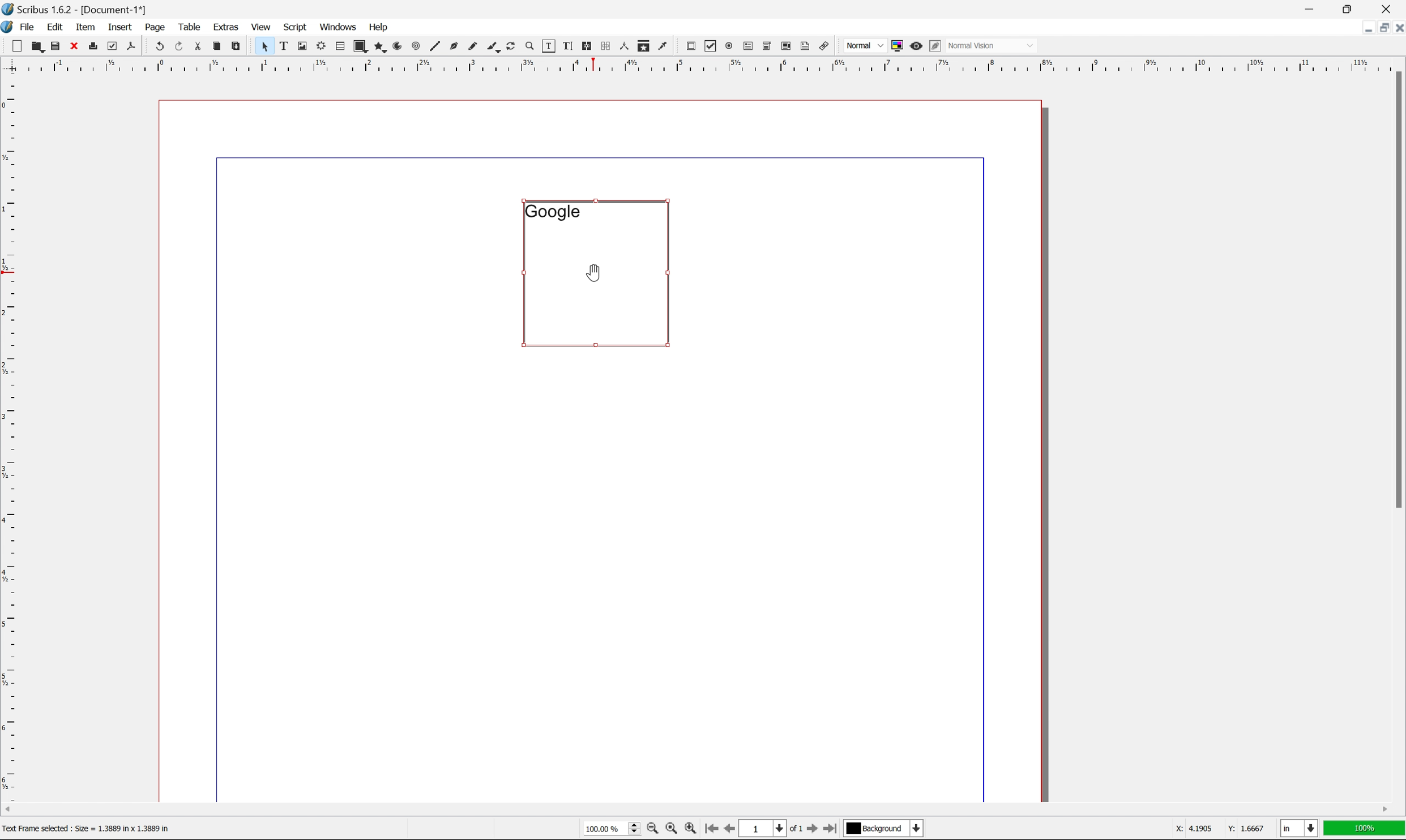 This screenshot has height=840, width=1406. What do you see at coordinates (378, 27) in the screenshot?
I see `help` at bounding box center [378, 27].